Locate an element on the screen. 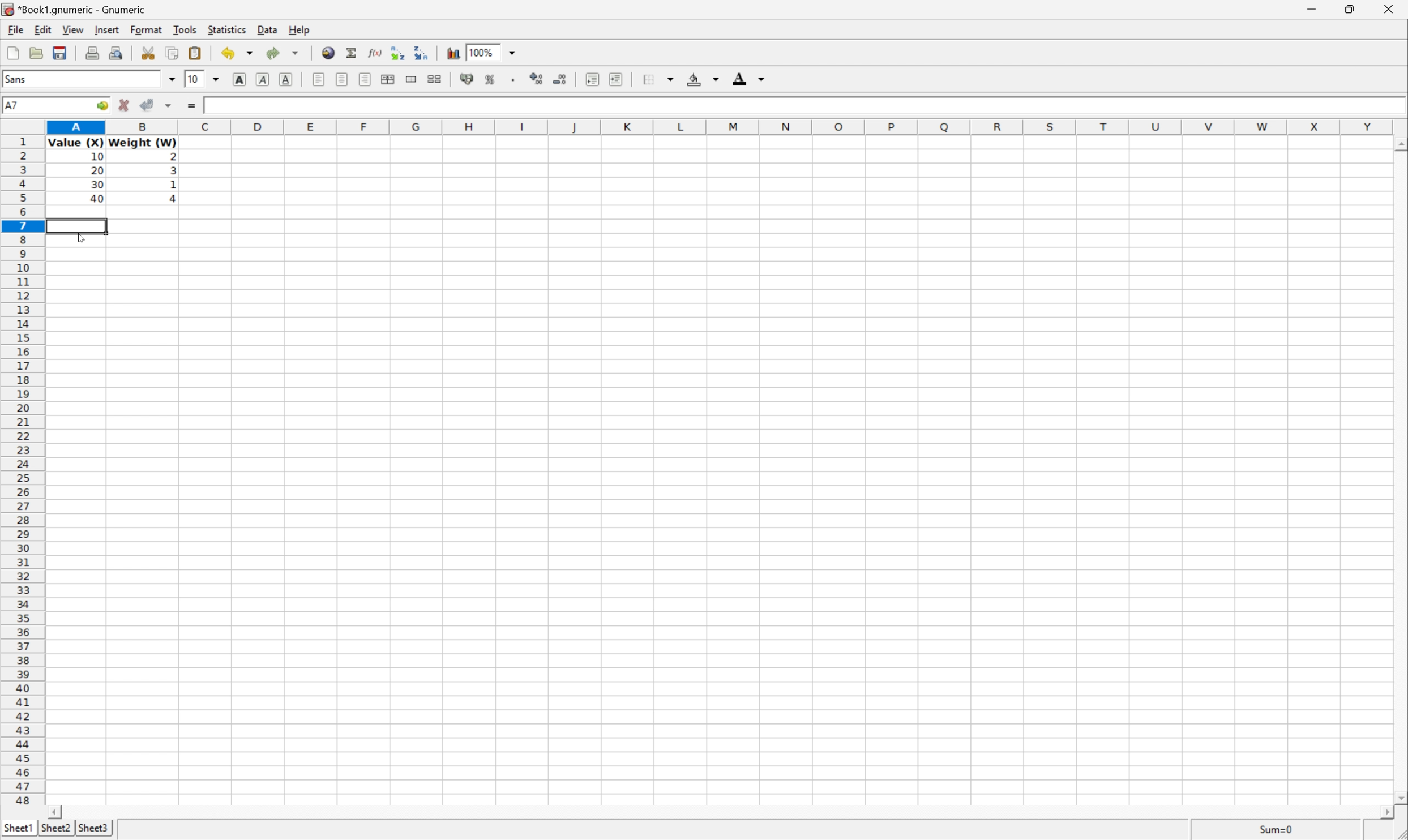 This screenshot has width=1408, height=840. Close is located at coordinates (1389, 10).